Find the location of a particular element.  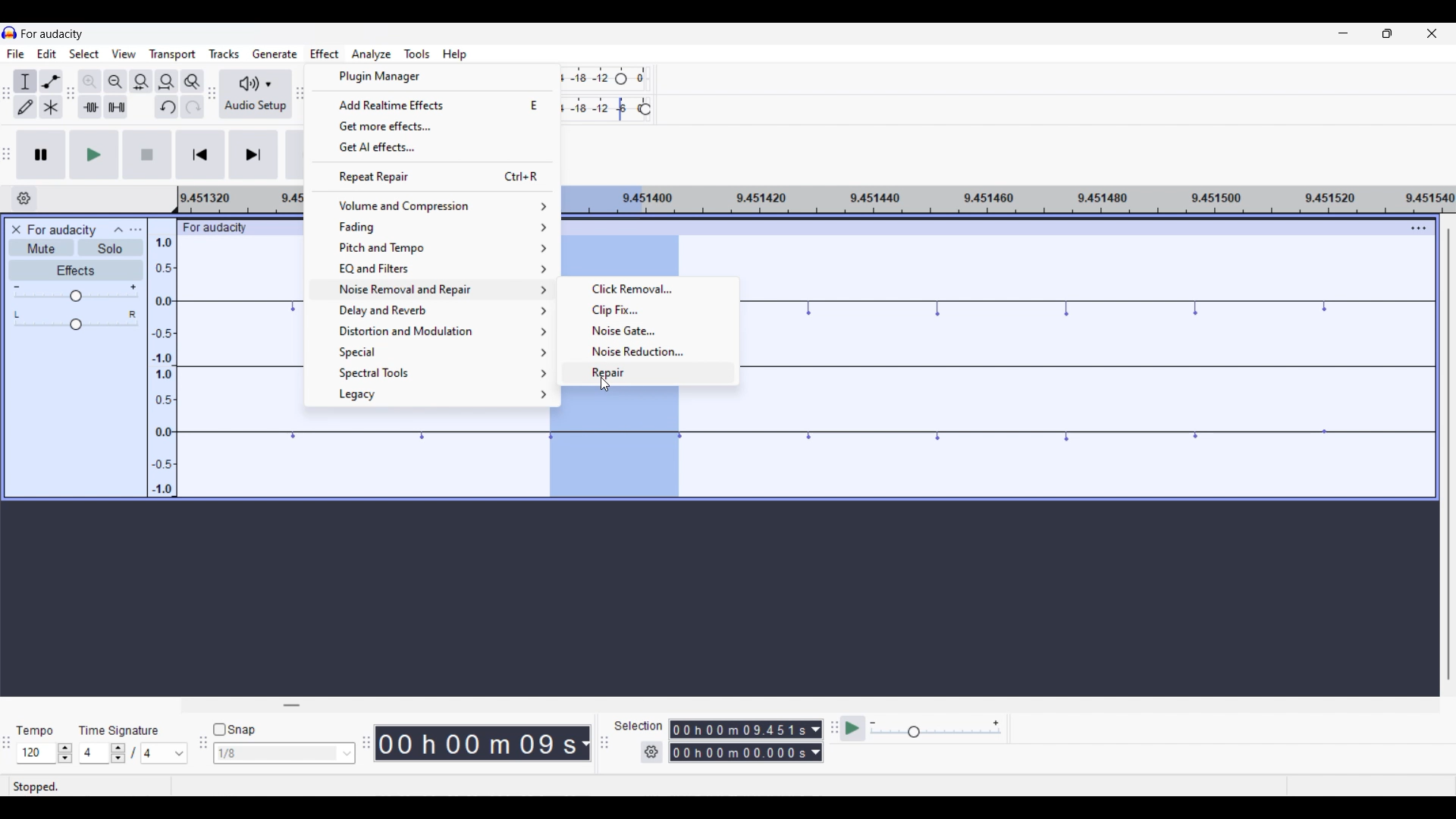

Click removal is located at coordinates (648, 288).